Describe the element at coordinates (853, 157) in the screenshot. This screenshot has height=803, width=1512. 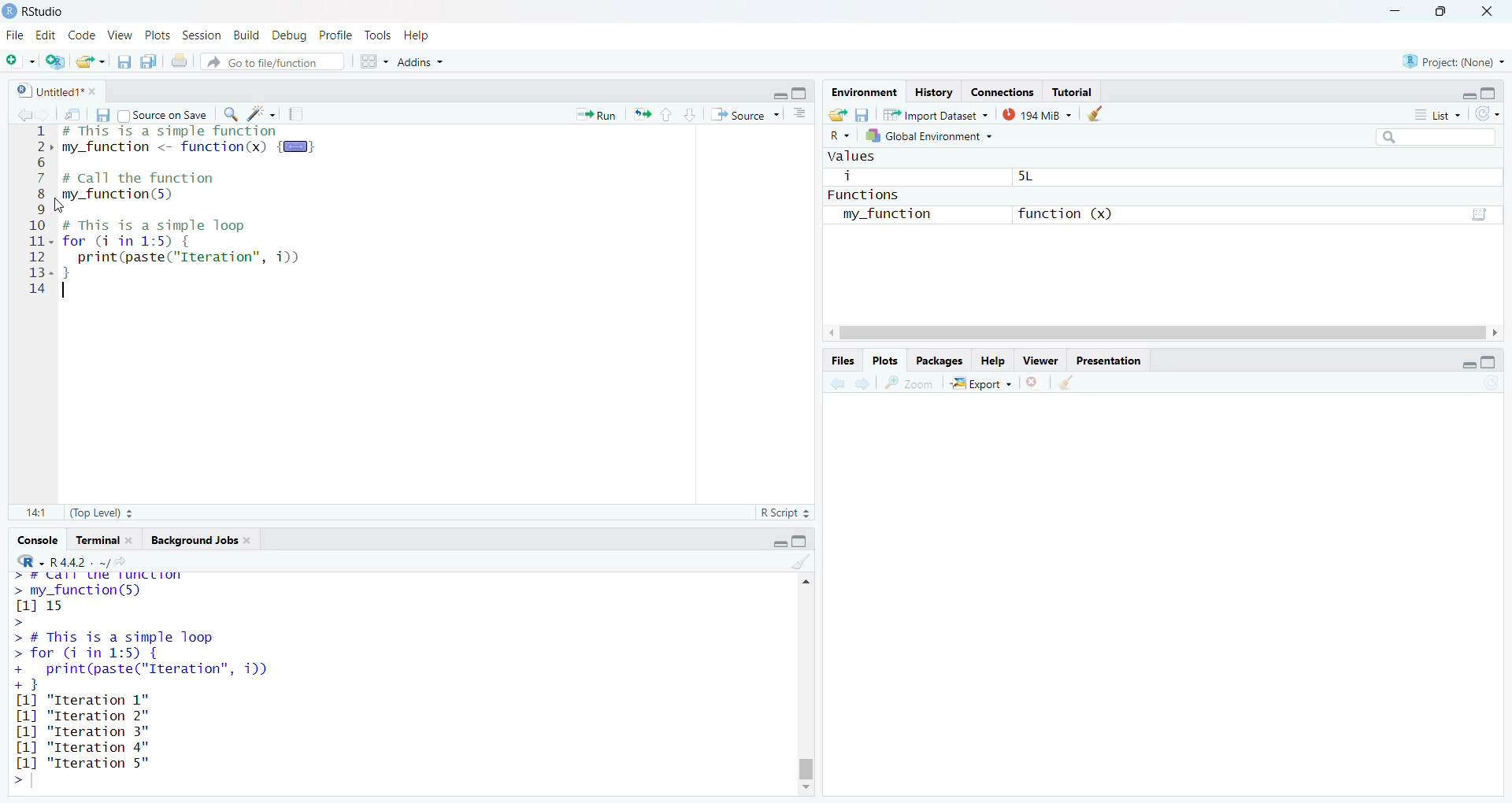
I see `values` at that location.